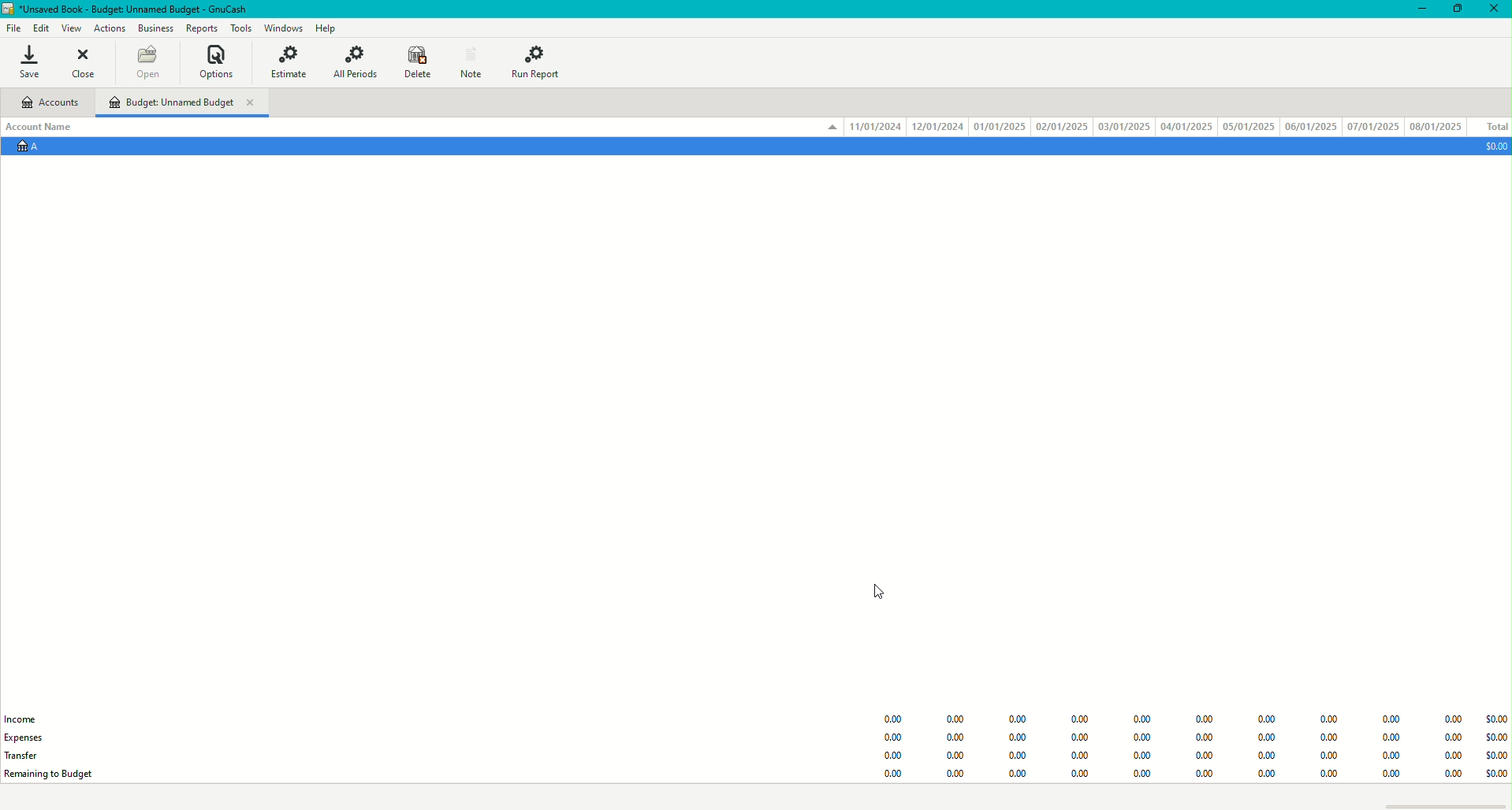 Image resolution: width=1512 pixels, height=810 pixels. What do you see at coordinates (202, 29) in the screenshot?
I see `Reports` at bounding box center [202, 29].